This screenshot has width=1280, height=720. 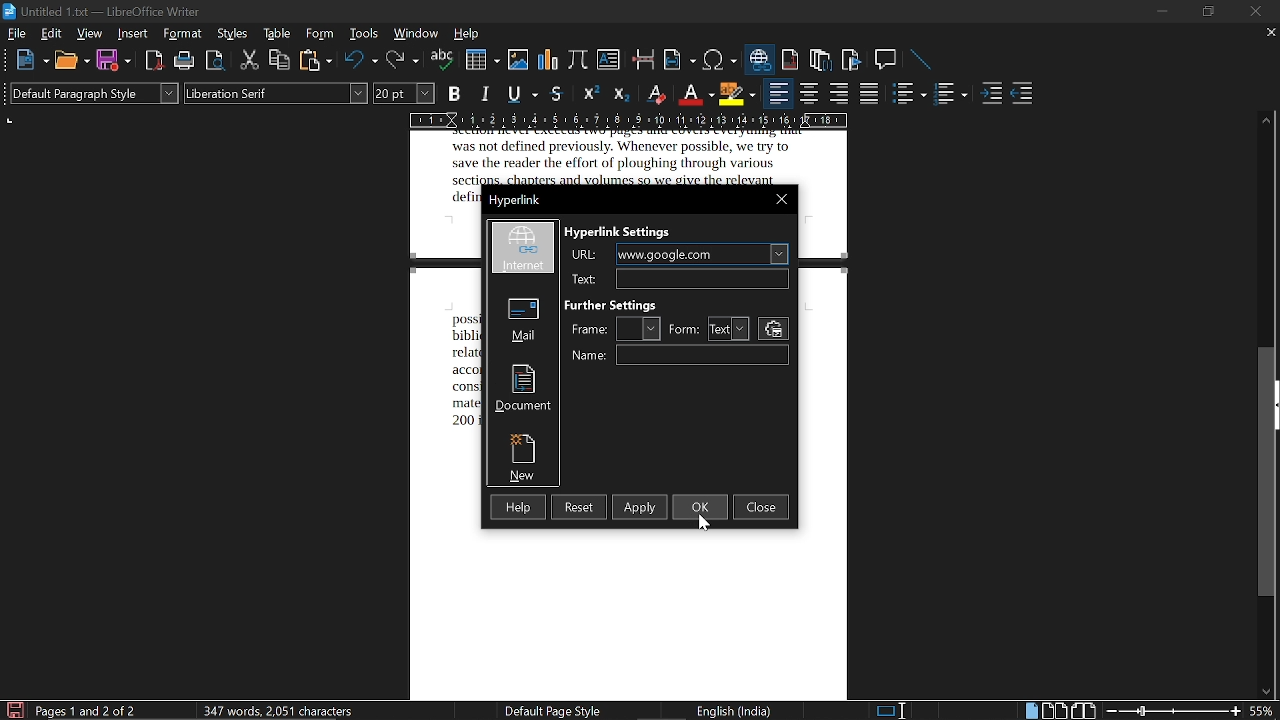 What do you see at coordinates (807, 95) in the screenshot?
I see `align center` at bounding box center [807, 95].